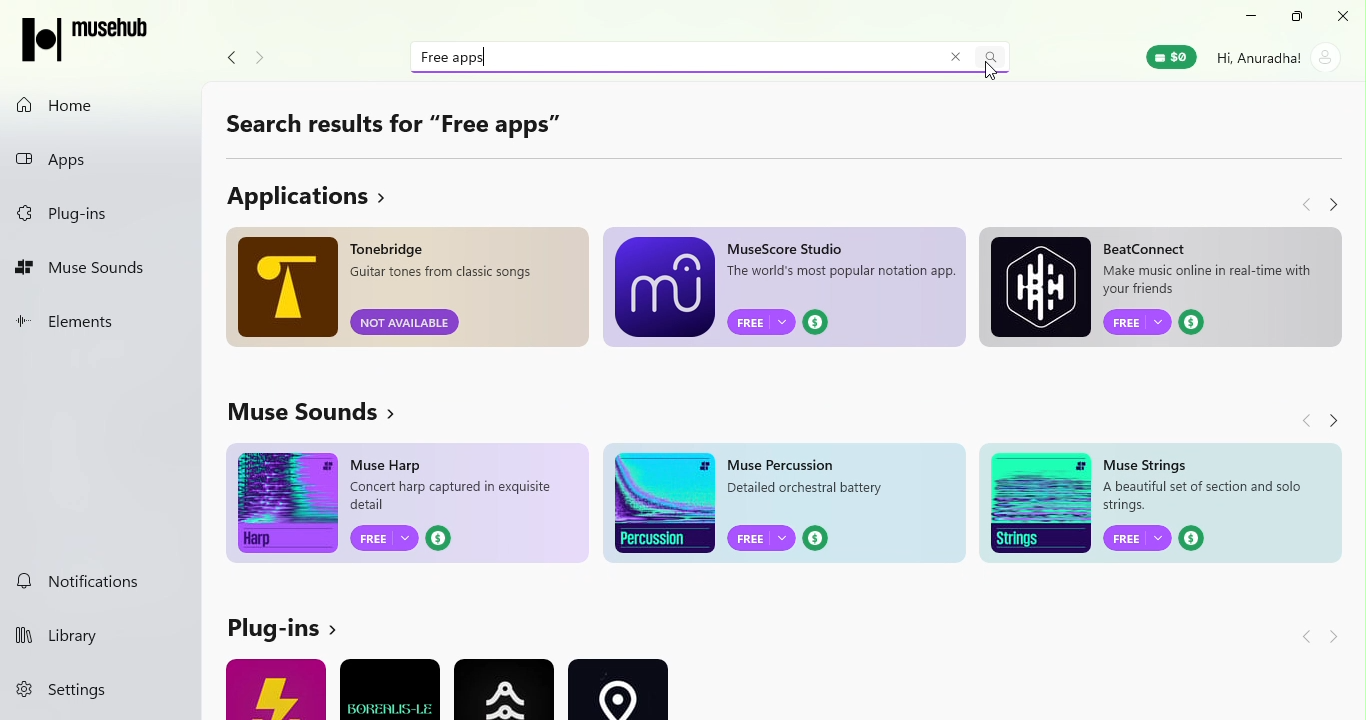  What do you see at coordinates (1172, 297) in the screenshot?
I see `Ad` at bounding box center [1172, 297].